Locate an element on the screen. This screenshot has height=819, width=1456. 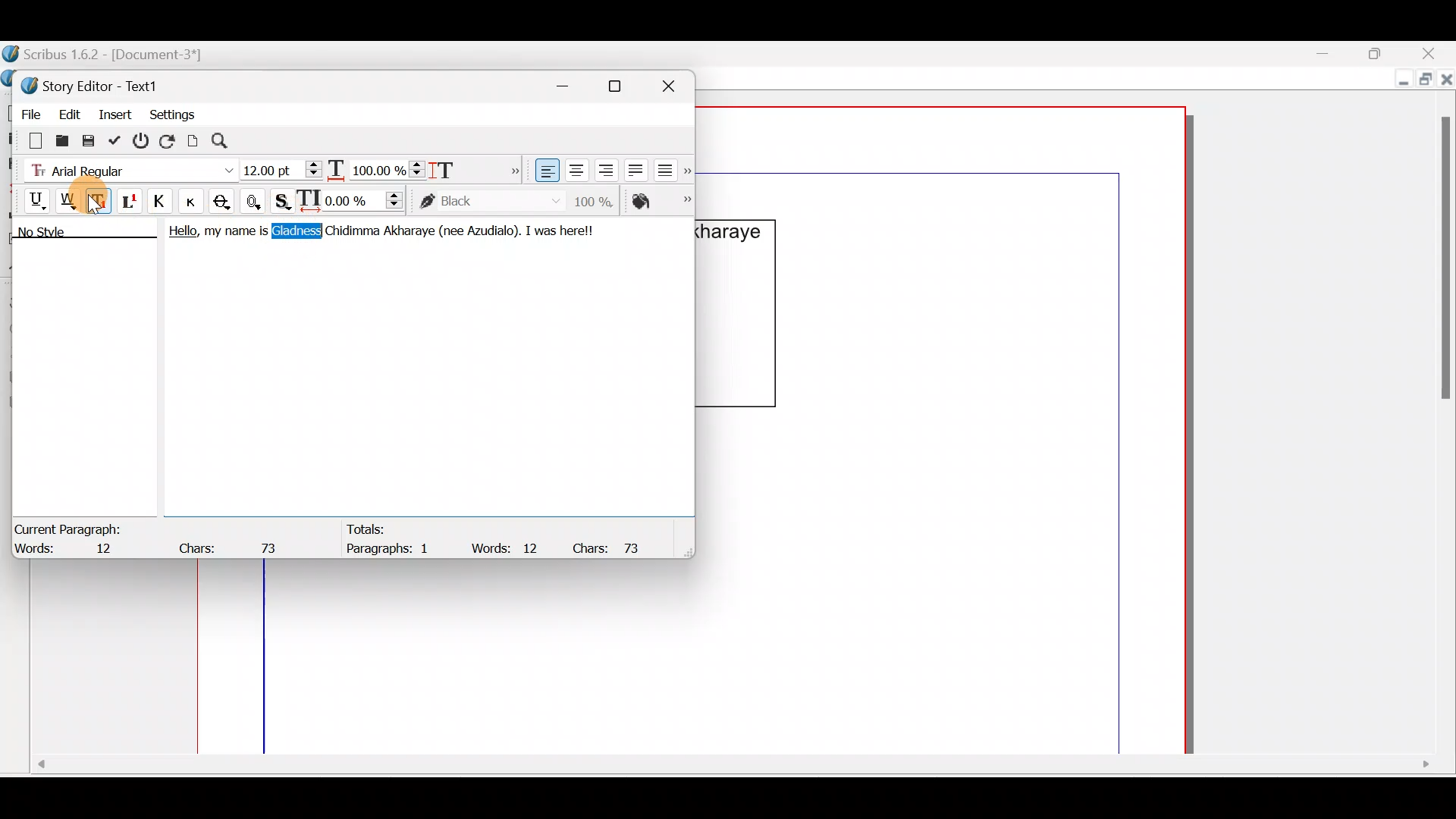
Scaling width of characters is located at coordinates (376, 167).